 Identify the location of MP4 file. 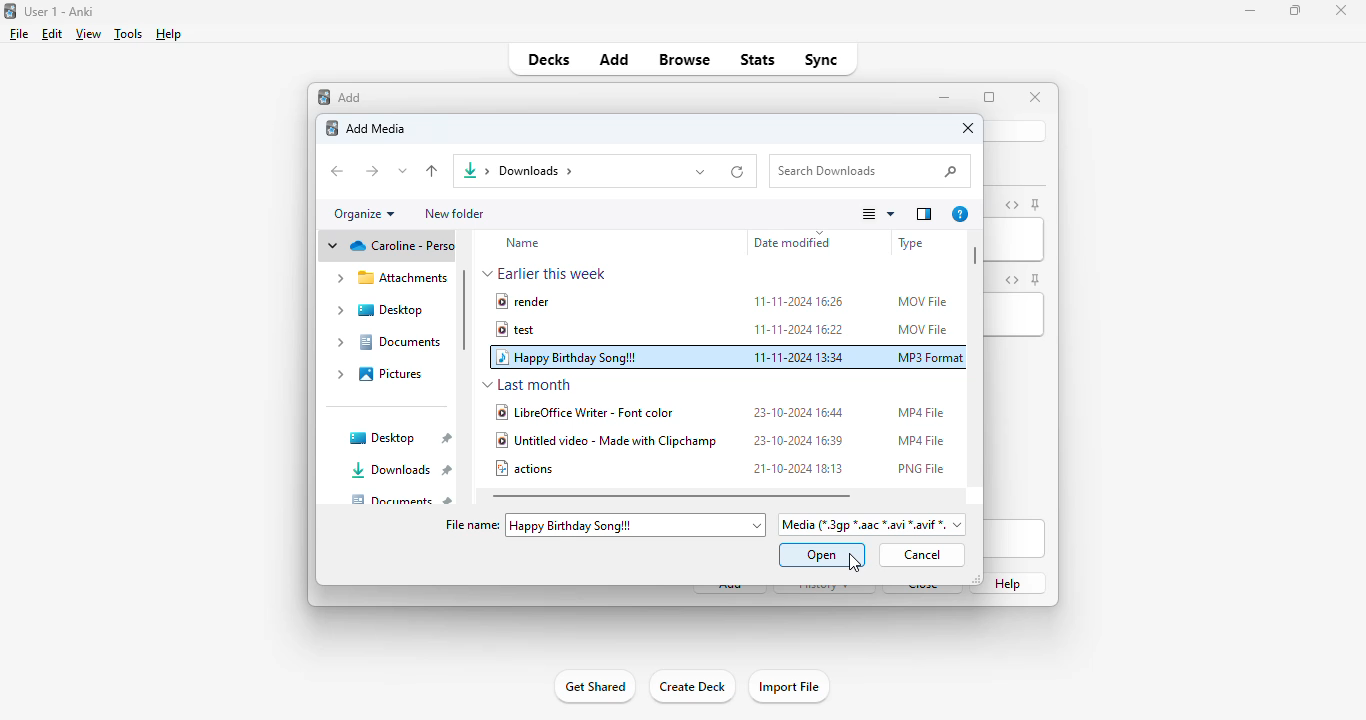
(921, 441).